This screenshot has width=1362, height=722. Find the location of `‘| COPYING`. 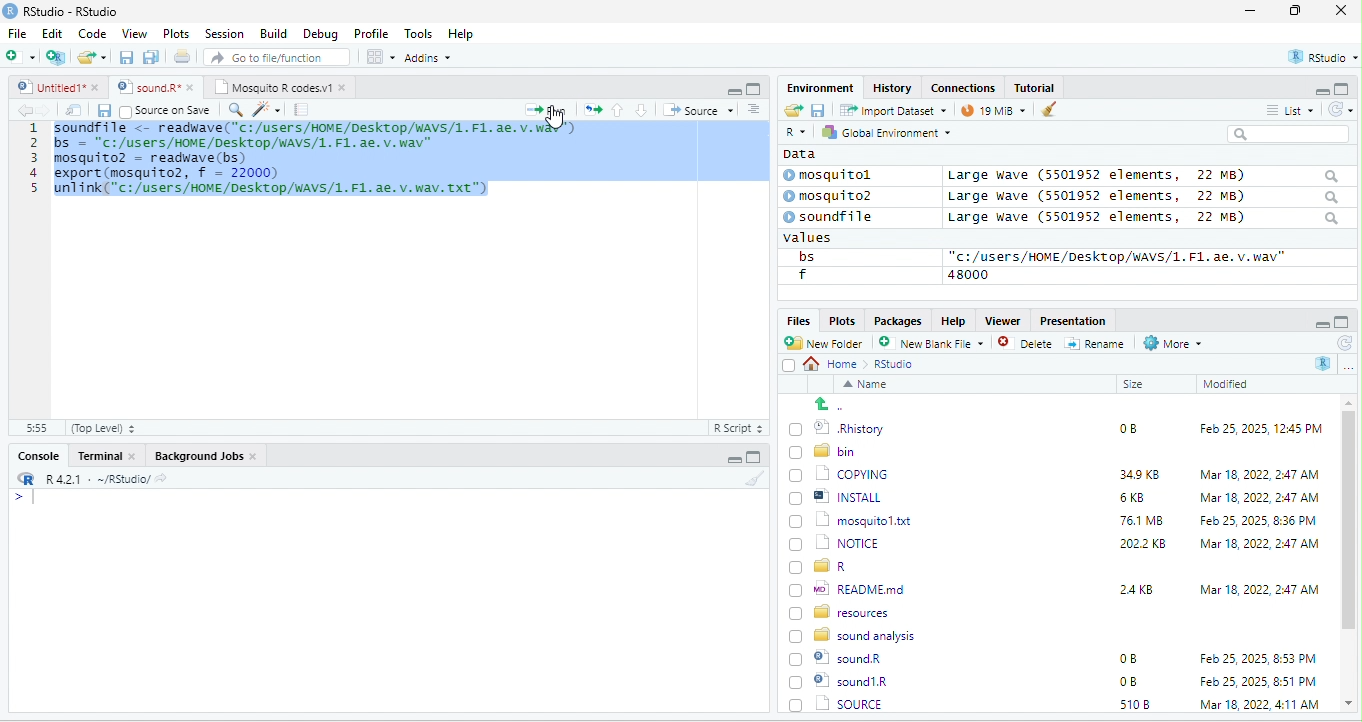

‘| COPYING is located at coordinates (839, 473).